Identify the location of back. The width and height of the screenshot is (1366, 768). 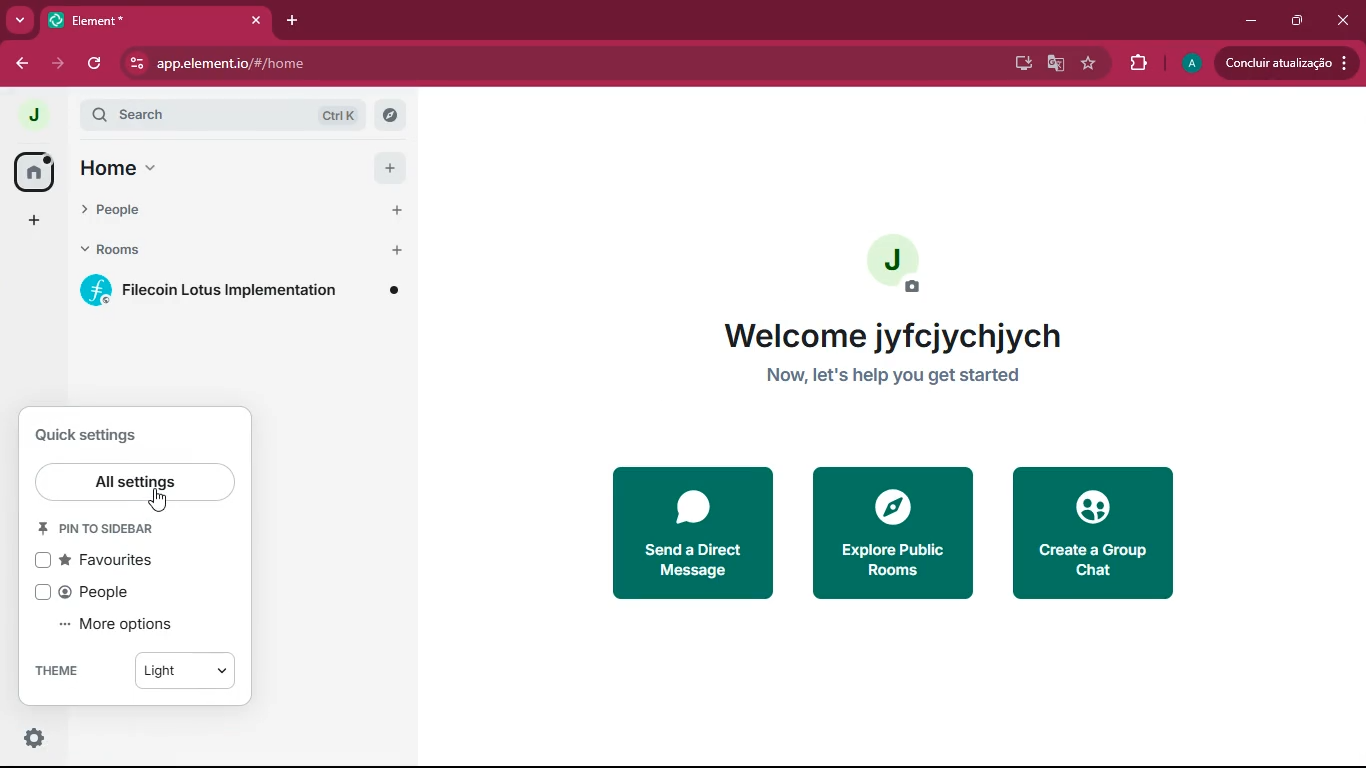
(23, 61).